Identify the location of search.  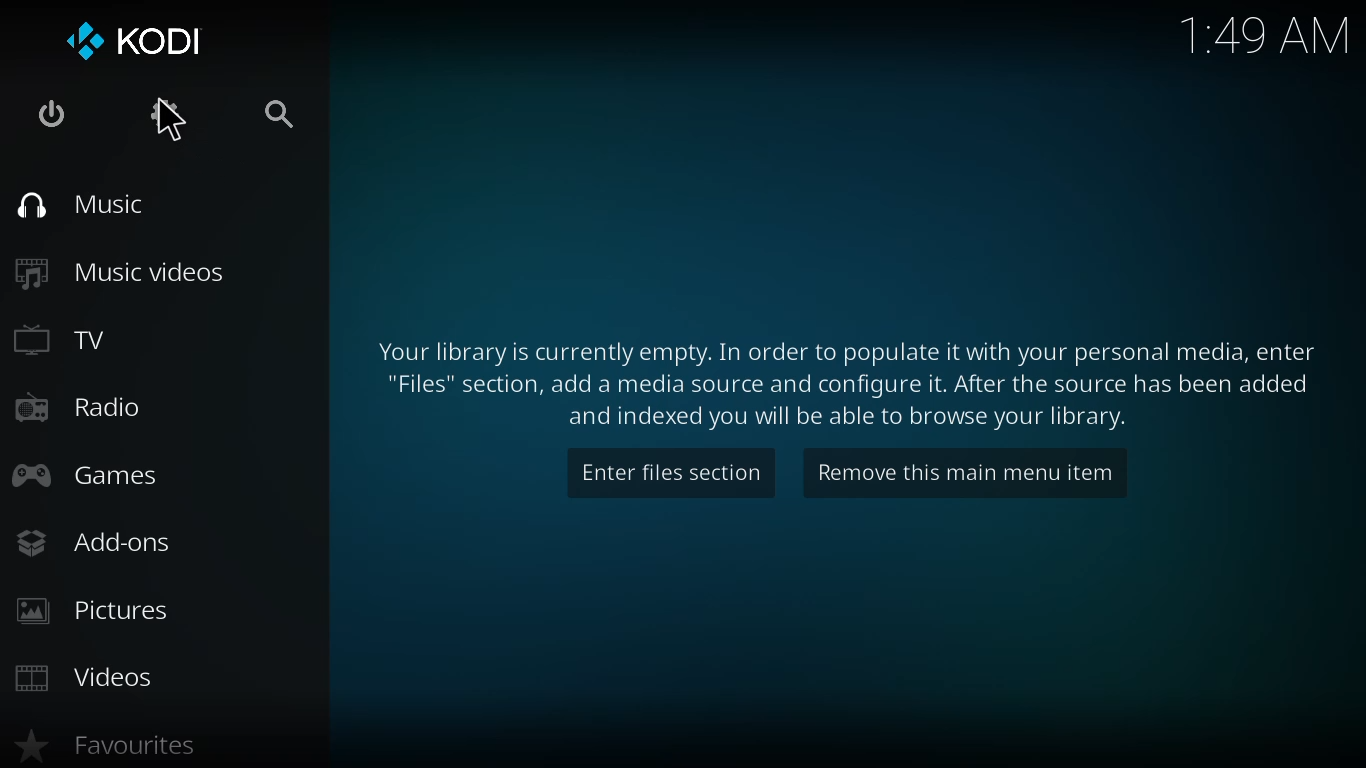
(271, 117).